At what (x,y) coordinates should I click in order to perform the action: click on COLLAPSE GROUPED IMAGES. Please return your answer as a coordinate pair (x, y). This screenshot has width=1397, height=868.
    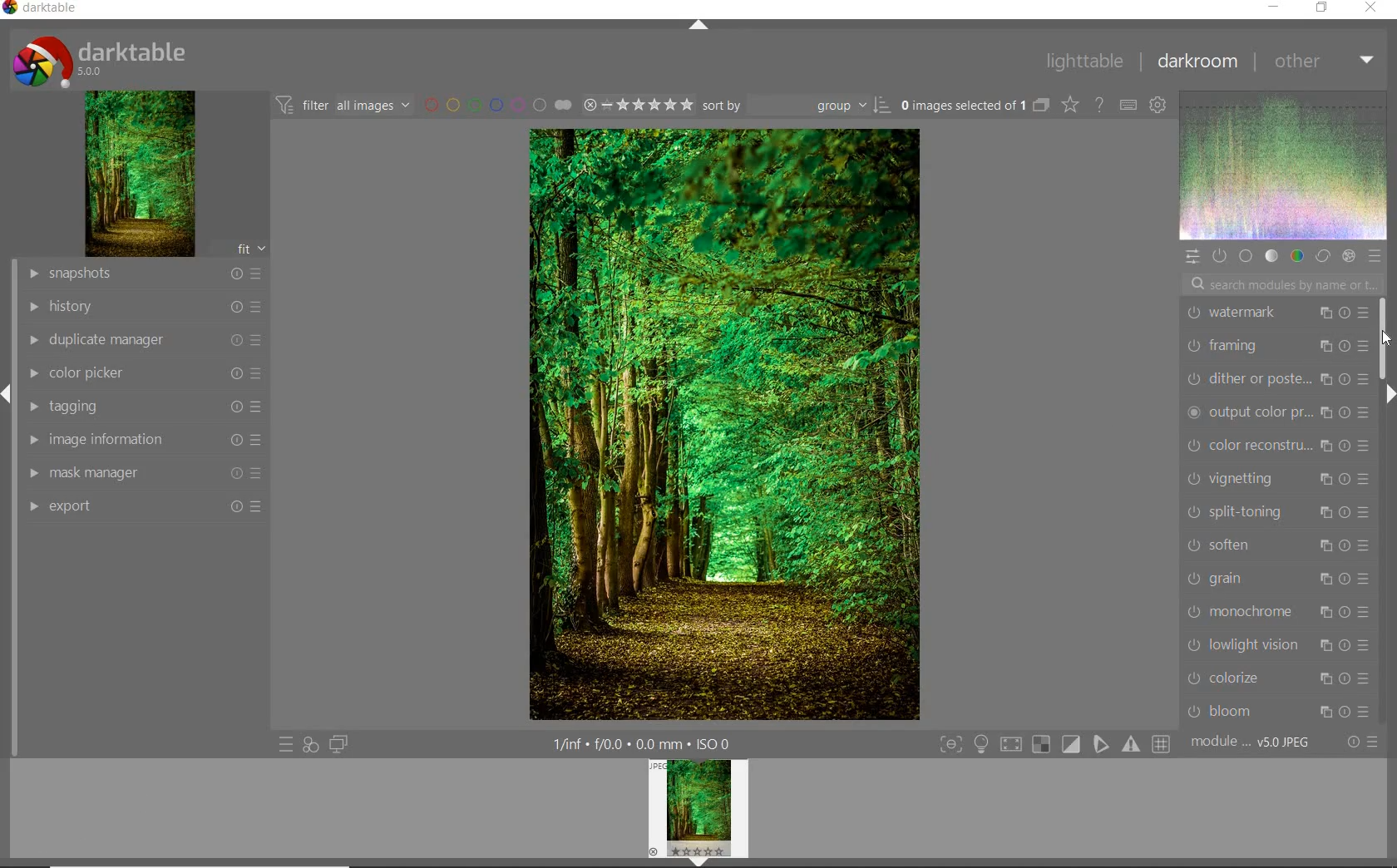
    Looking at the image, I should click on (1042, 105).